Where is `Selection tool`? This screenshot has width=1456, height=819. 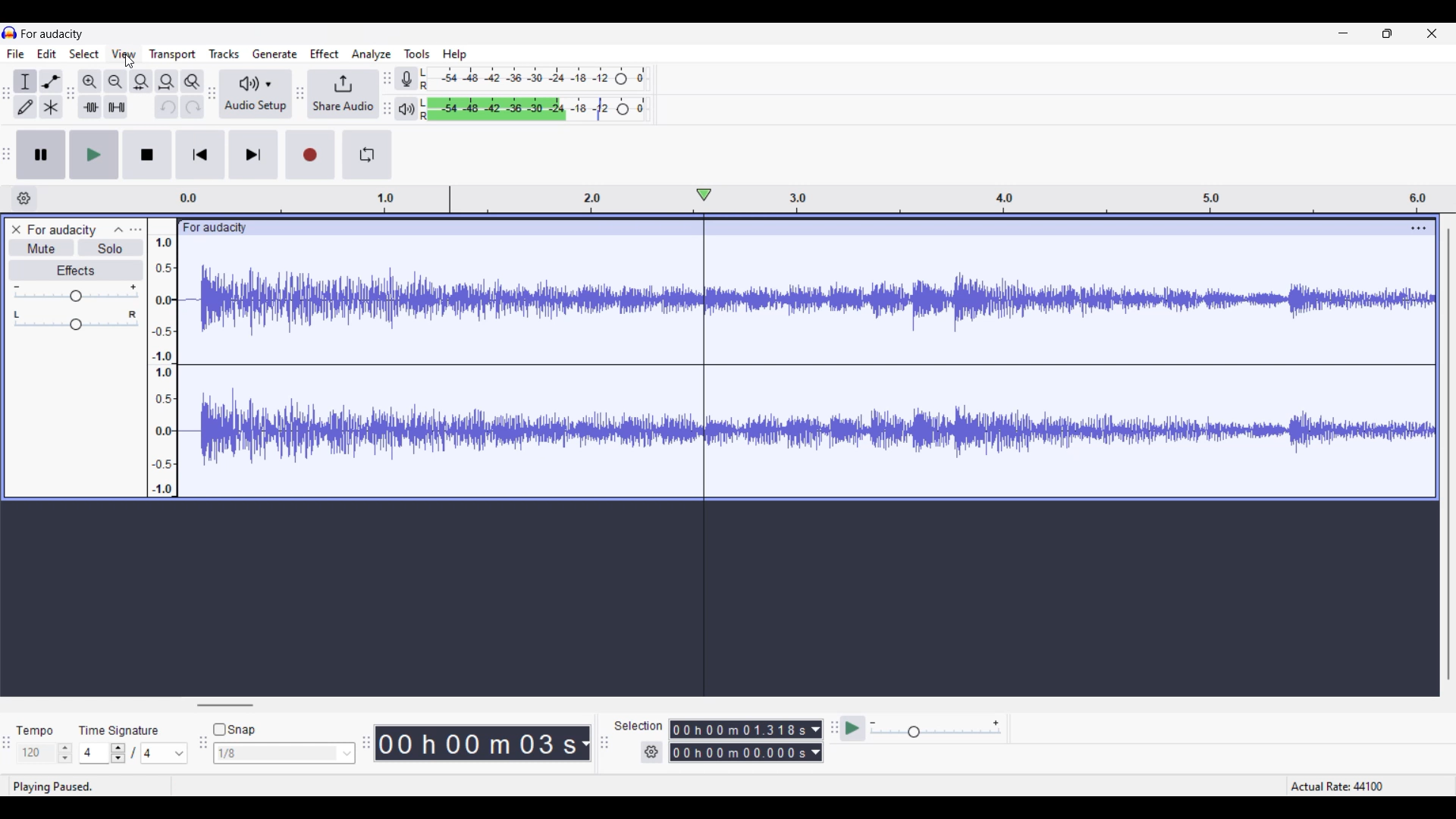 Selection tool is located at coordinates (25, 81).